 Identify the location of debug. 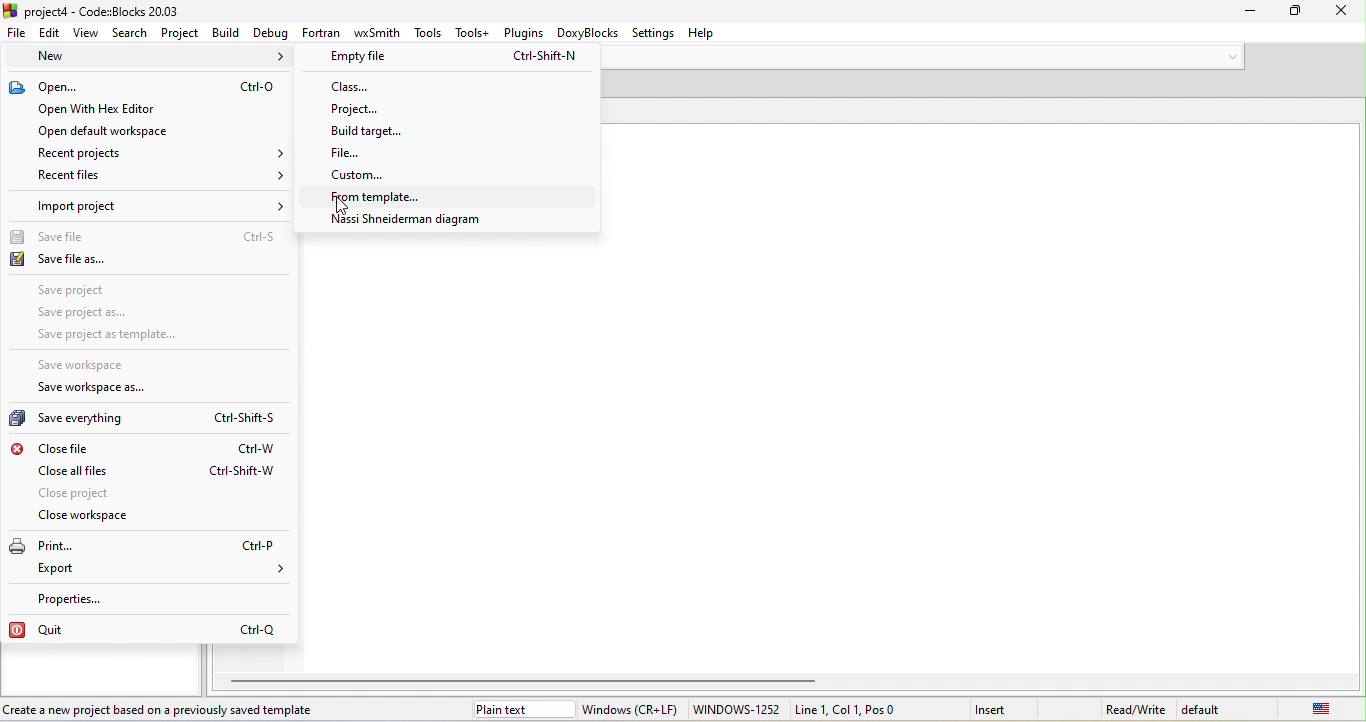
(269, 34).